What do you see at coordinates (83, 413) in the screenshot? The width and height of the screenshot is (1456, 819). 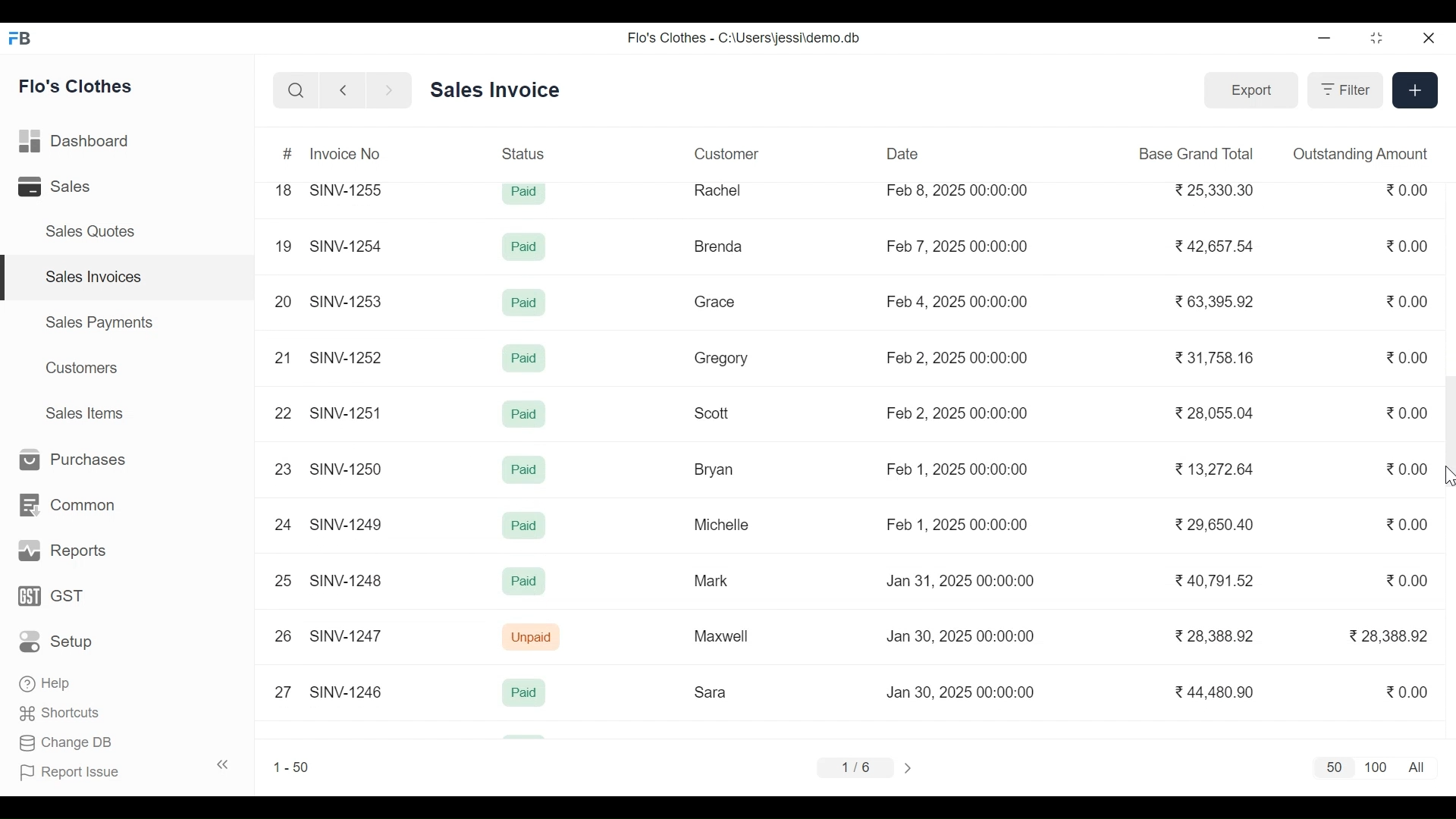 I see `Sales Items` at bounding box center [83, 413].